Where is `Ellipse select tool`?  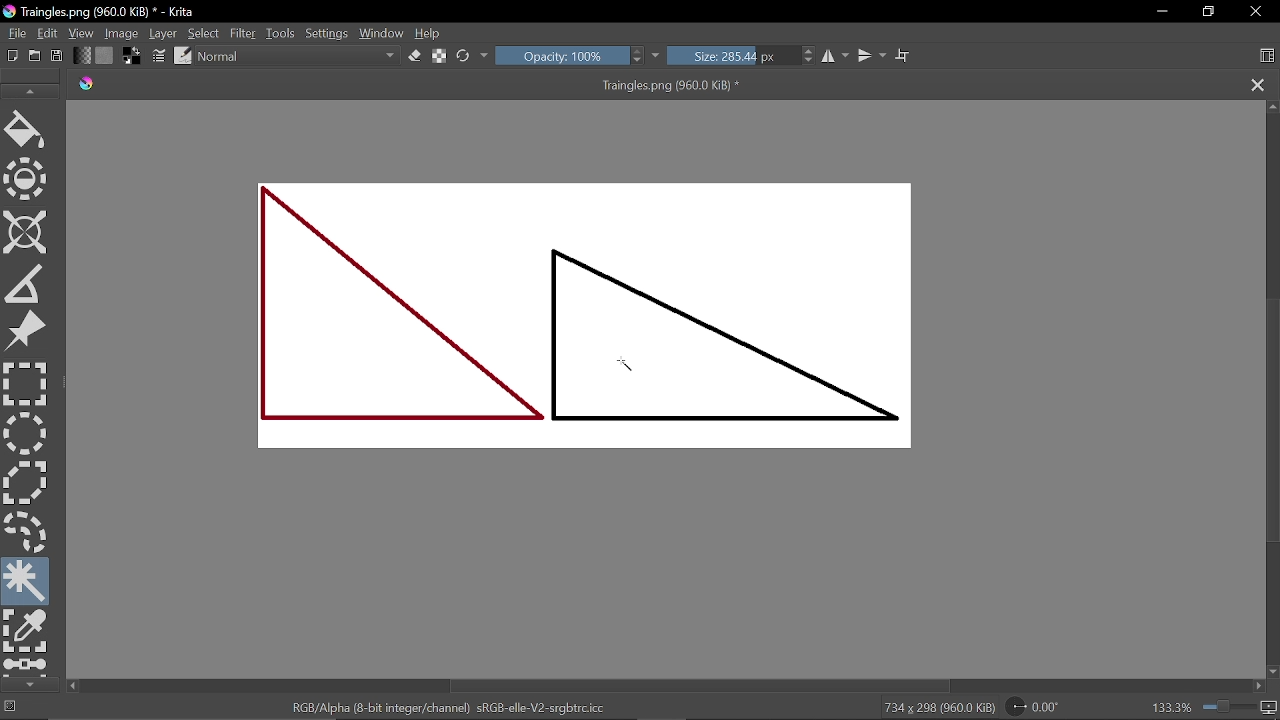
Ellipse select tool is located at coordinates (25, 434).